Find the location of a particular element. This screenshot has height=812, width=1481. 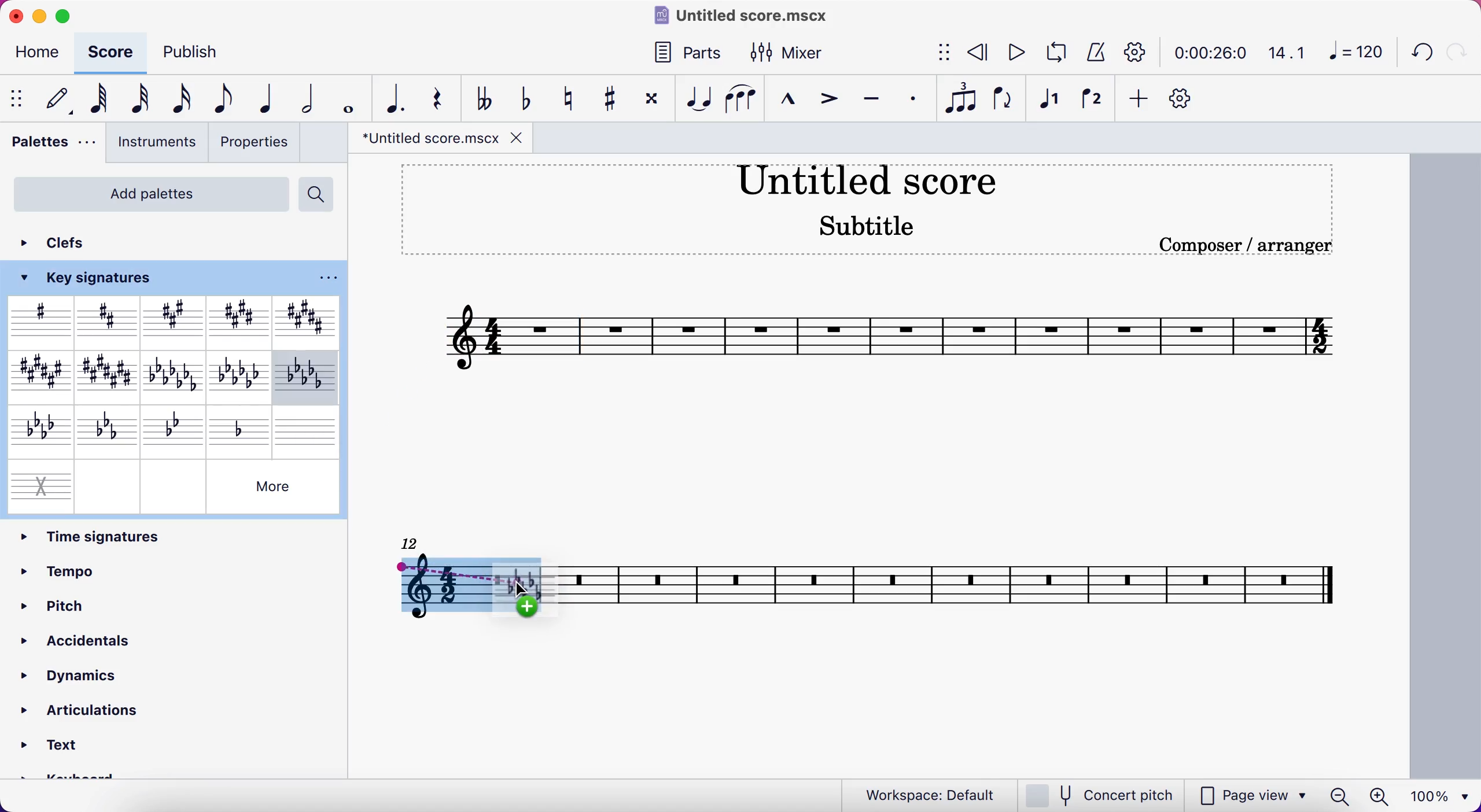

title is located at coordinates (754, 16).